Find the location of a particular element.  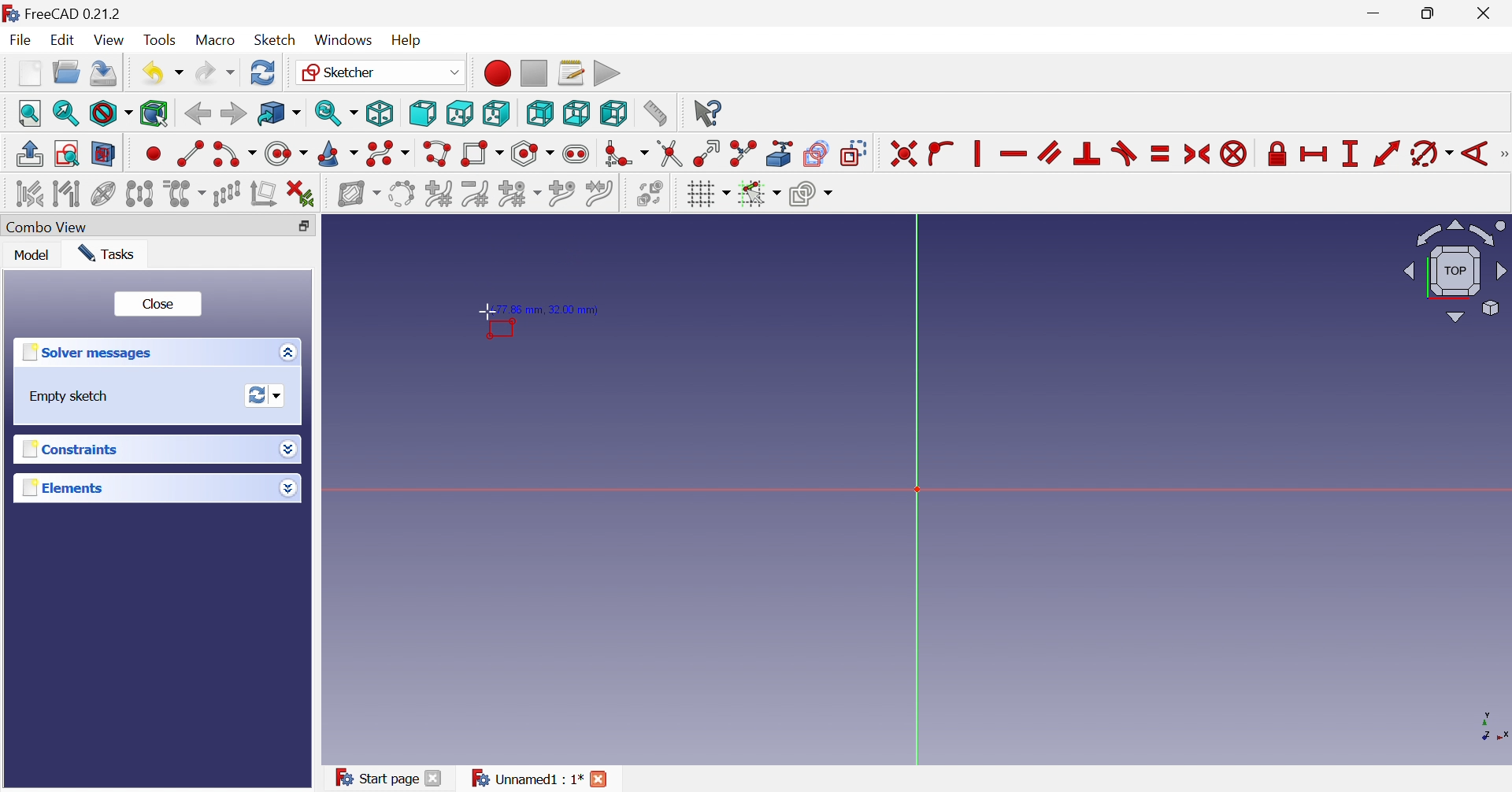

Create line is located at coordinates (190, 152).